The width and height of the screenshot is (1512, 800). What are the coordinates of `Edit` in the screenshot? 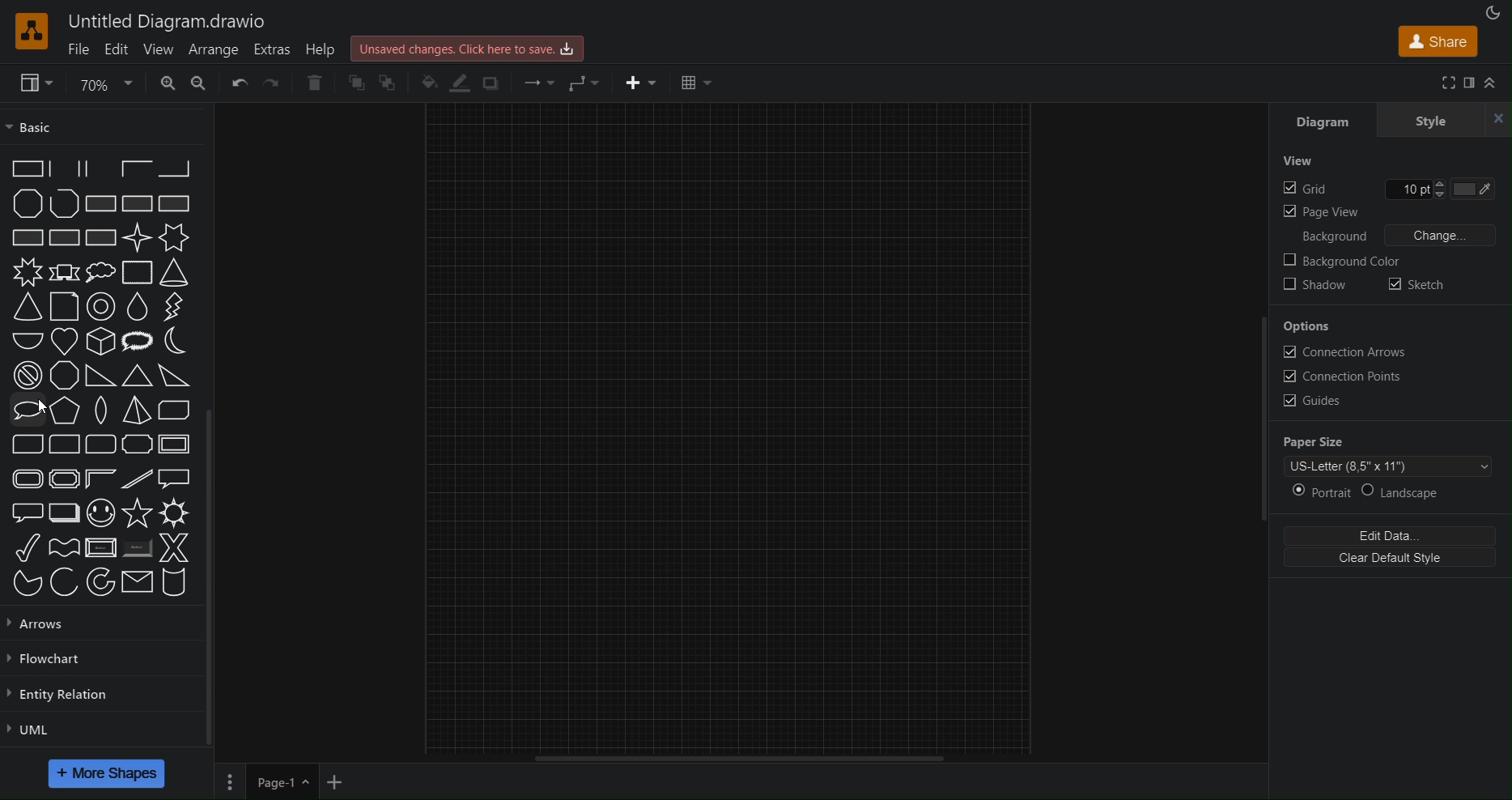 It's located at (114, 49).